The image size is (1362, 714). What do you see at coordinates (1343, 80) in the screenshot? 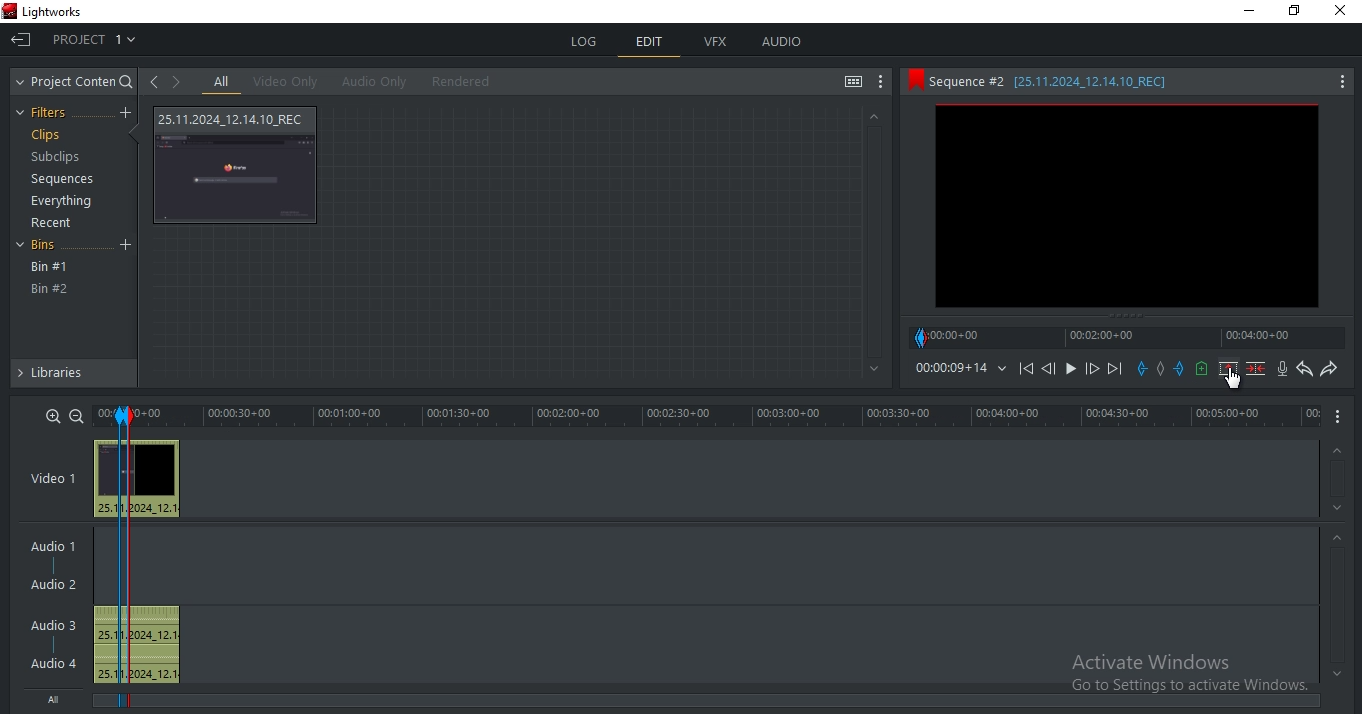
I see `More Options` at bounding box center [1343, 80].